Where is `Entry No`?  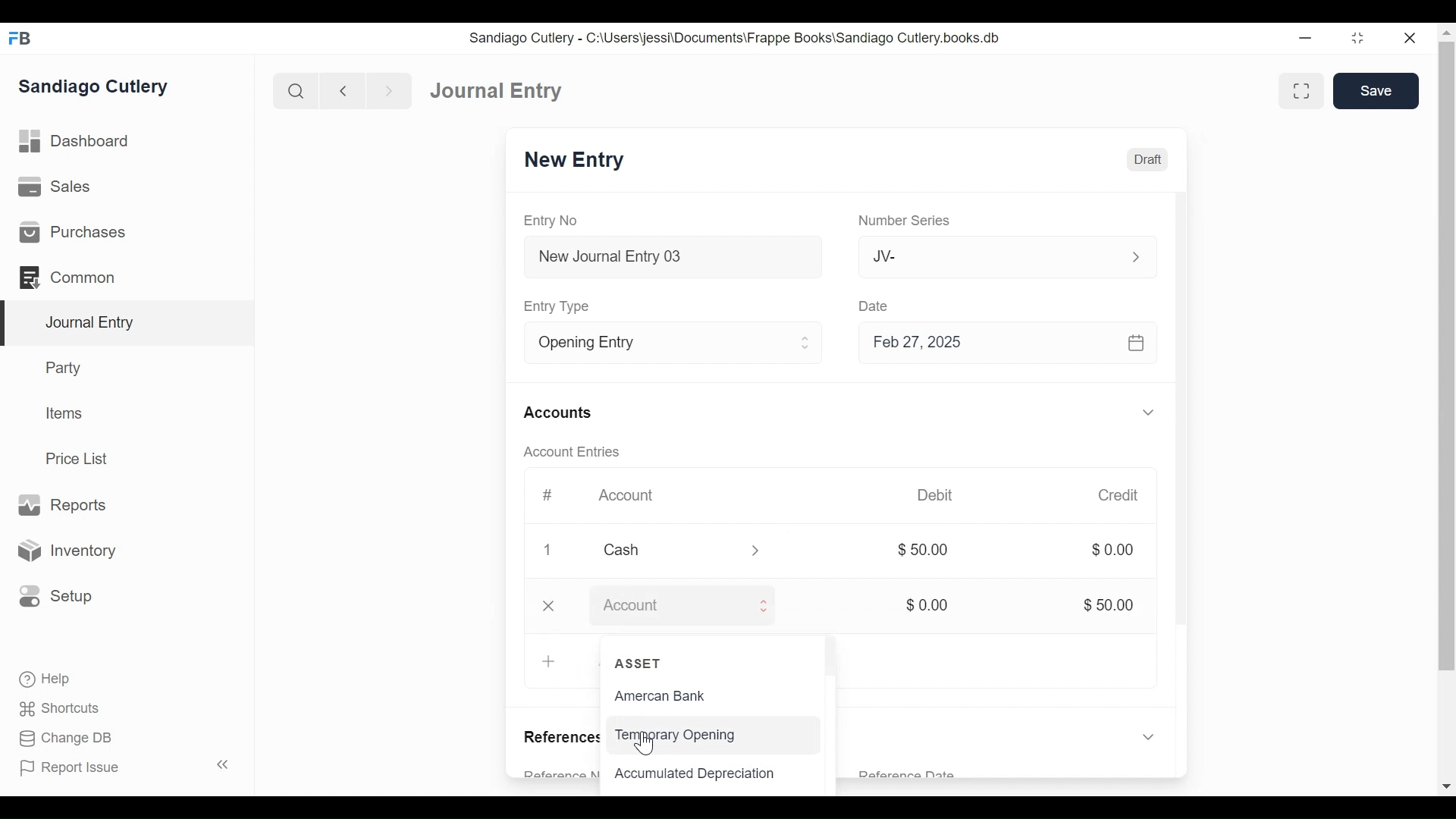
Entry No is located at coordinates (552, 221).